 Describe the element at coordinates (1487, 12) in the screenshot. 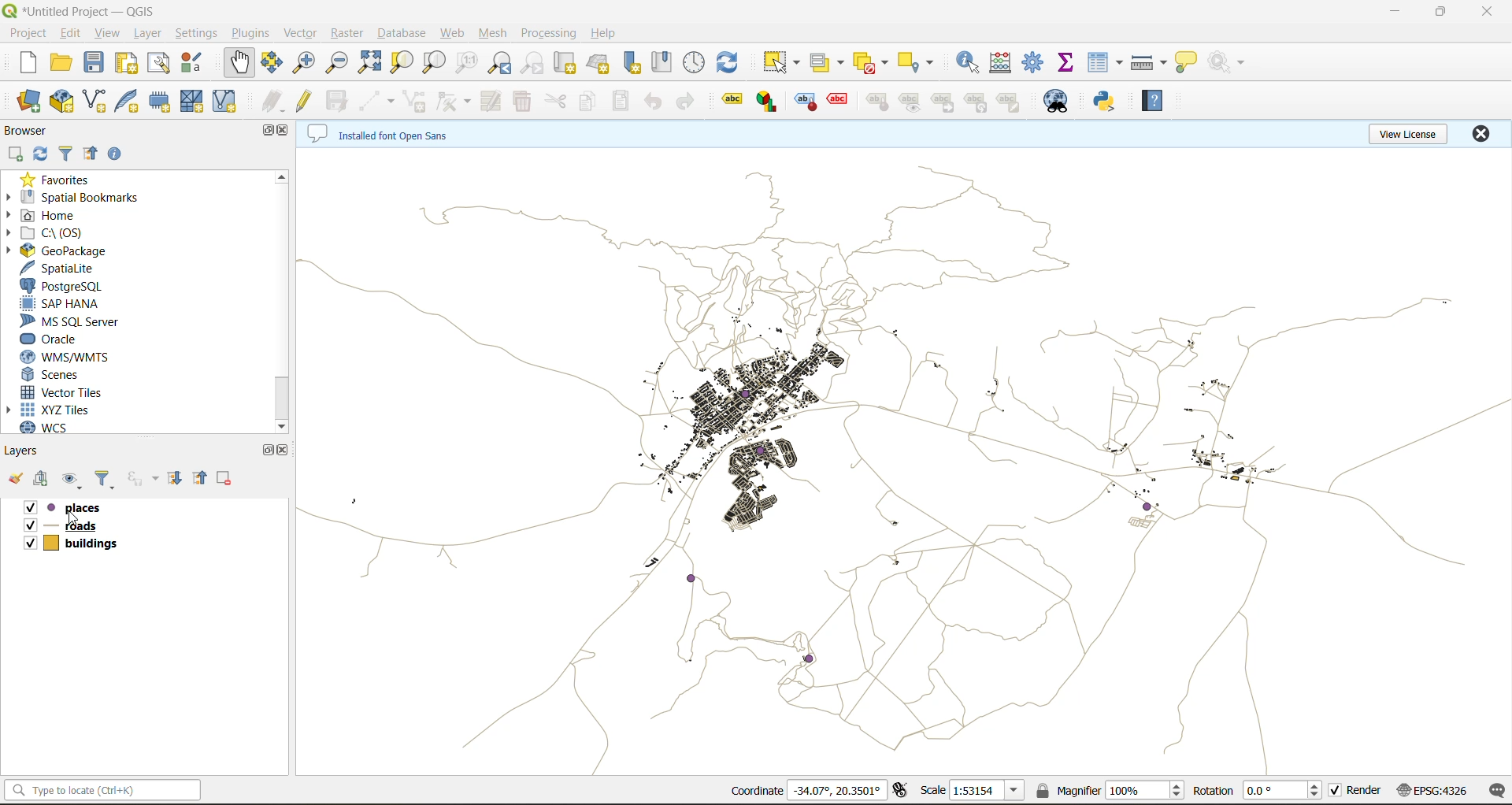

I see `close` at that location.